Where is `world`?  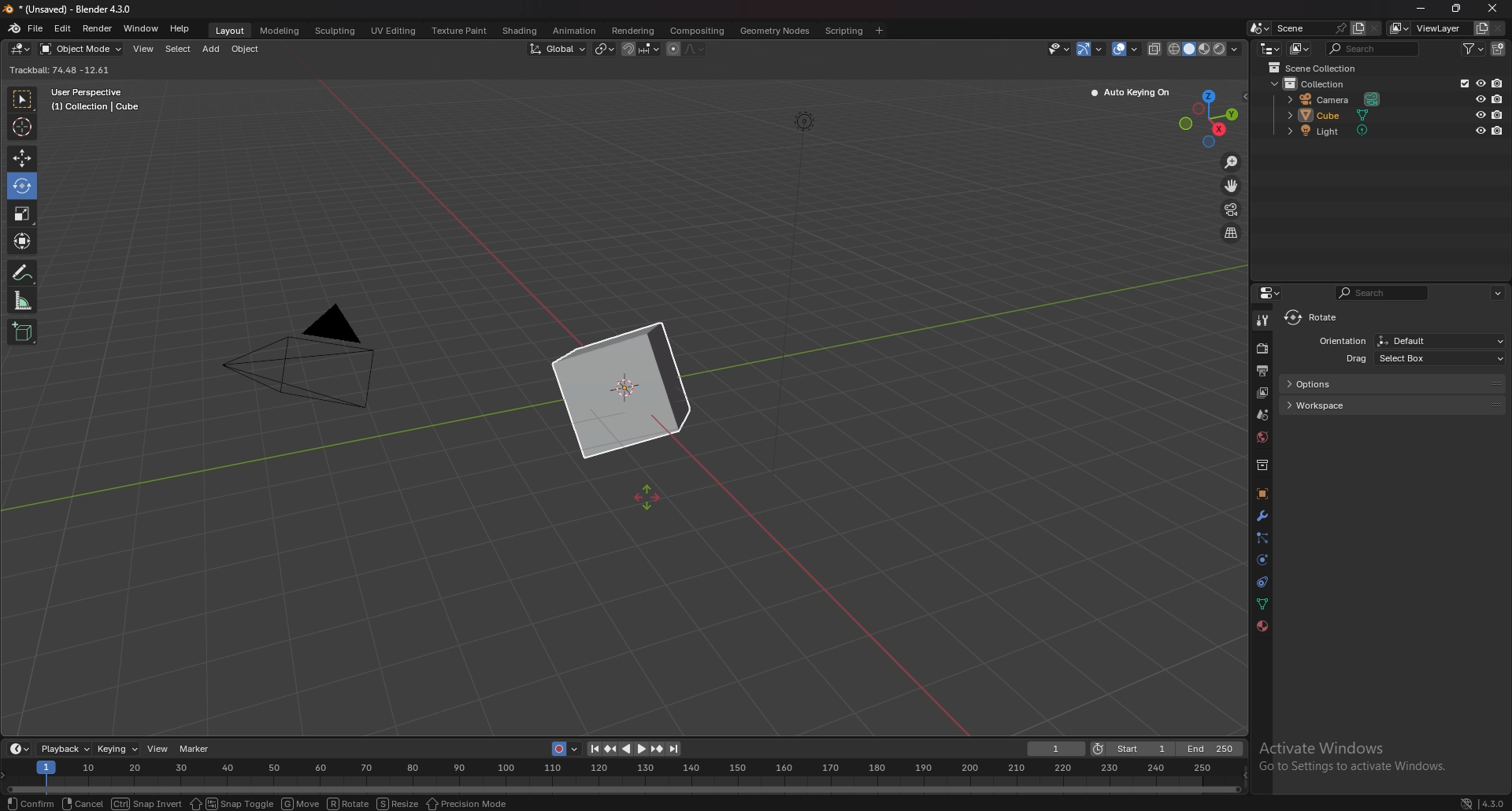
world is located at coordinates (1262, 437).